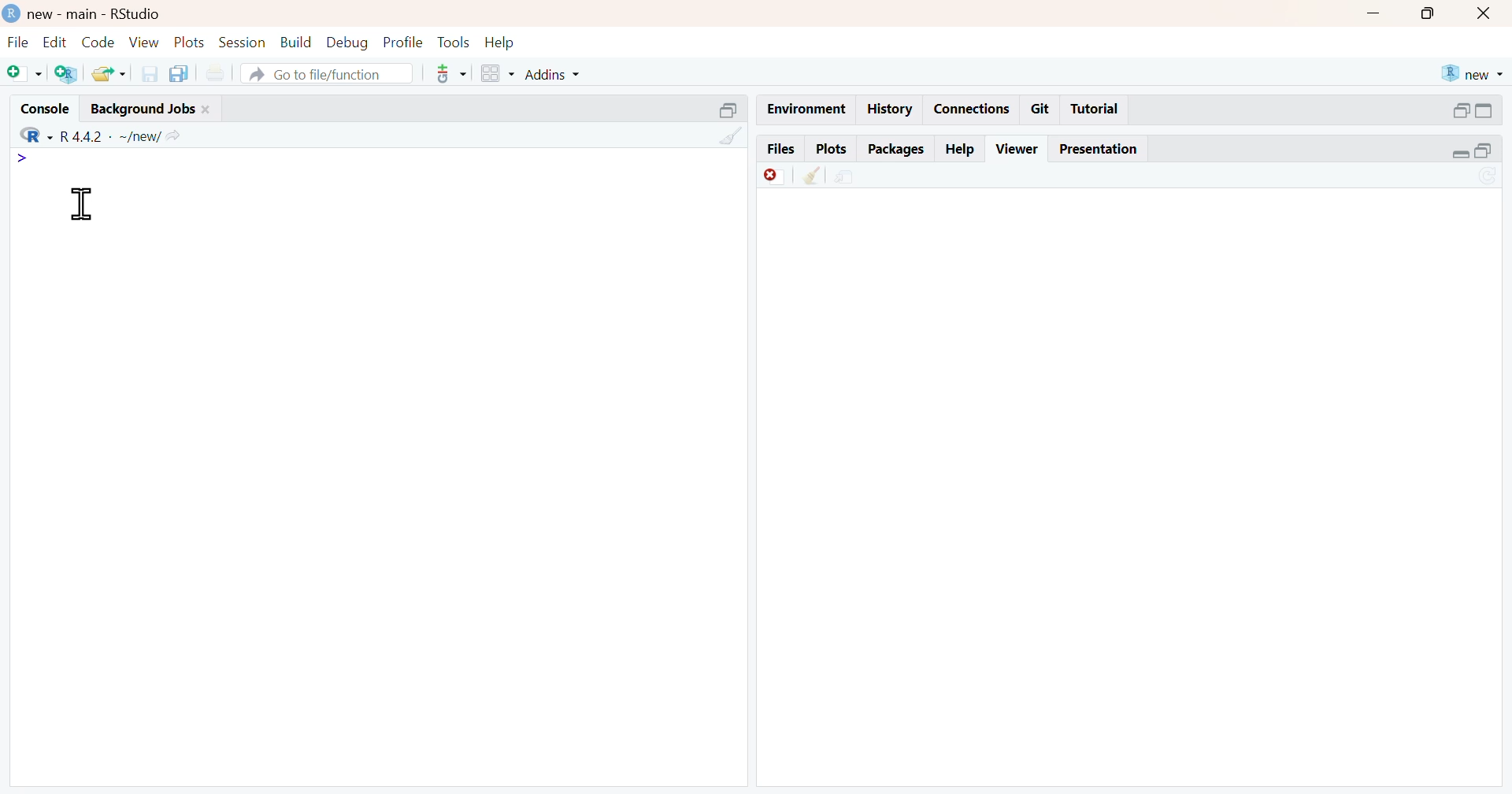  Describe the element at coordinates (295, 43) in the screenshot. I see `build` at that location.